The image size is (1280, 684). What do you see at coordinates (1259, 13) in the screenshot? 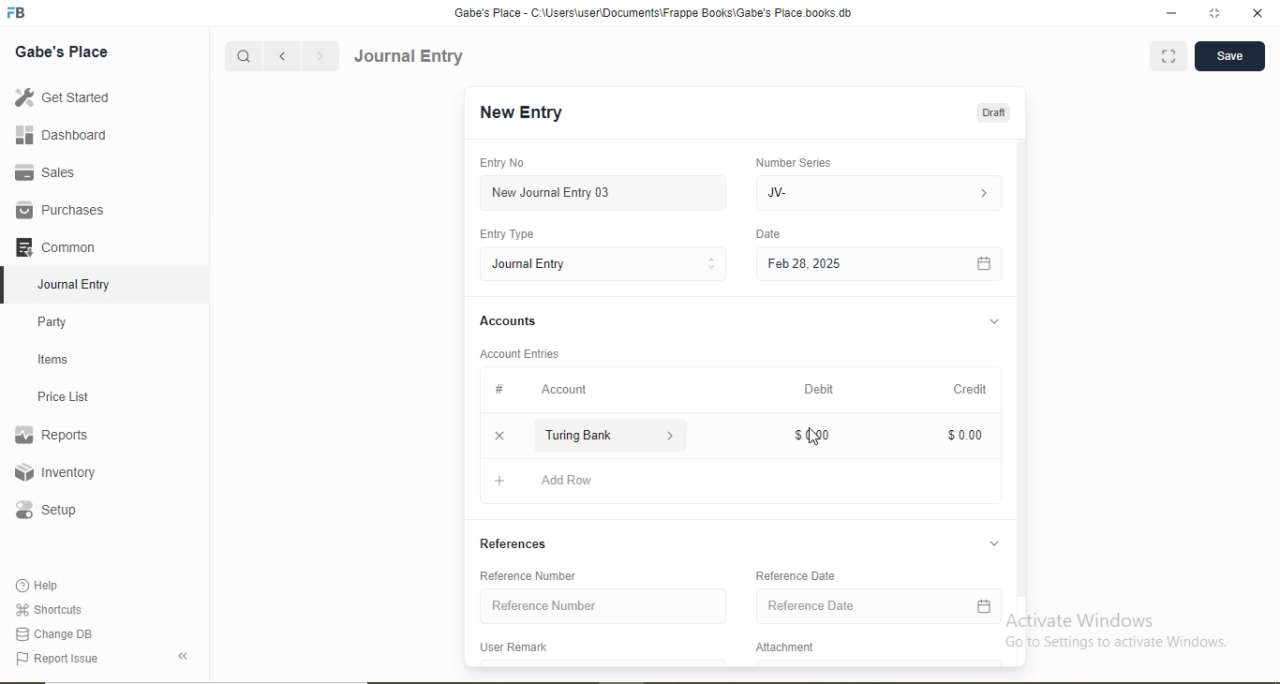
I see `close` at bounding box center [1259, 13].